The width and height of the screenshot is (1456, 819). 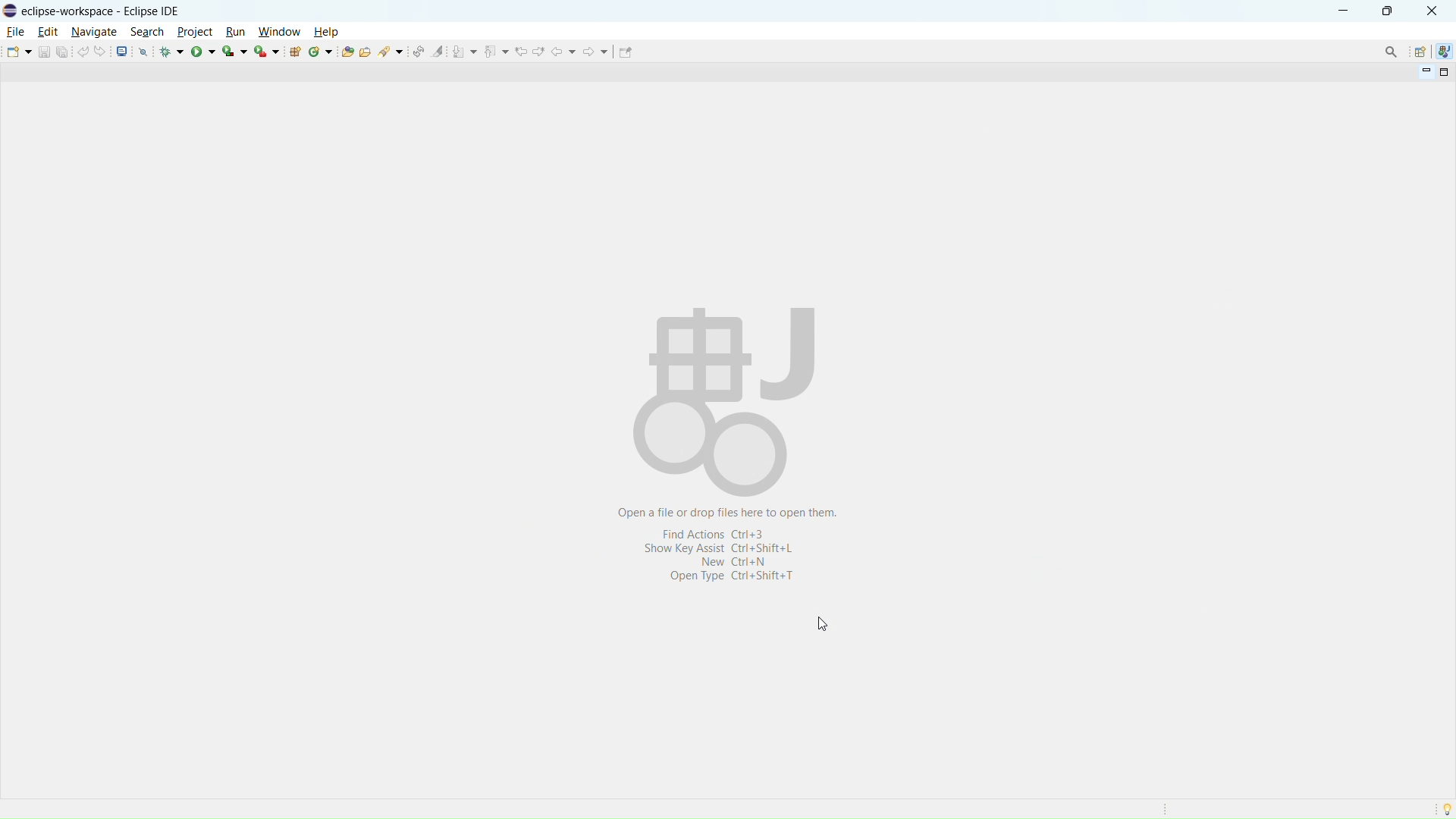 What do you see at coordinates (730, 562) in the screenshot?
I see `Shortcuts` at bounding box center [730, 562].